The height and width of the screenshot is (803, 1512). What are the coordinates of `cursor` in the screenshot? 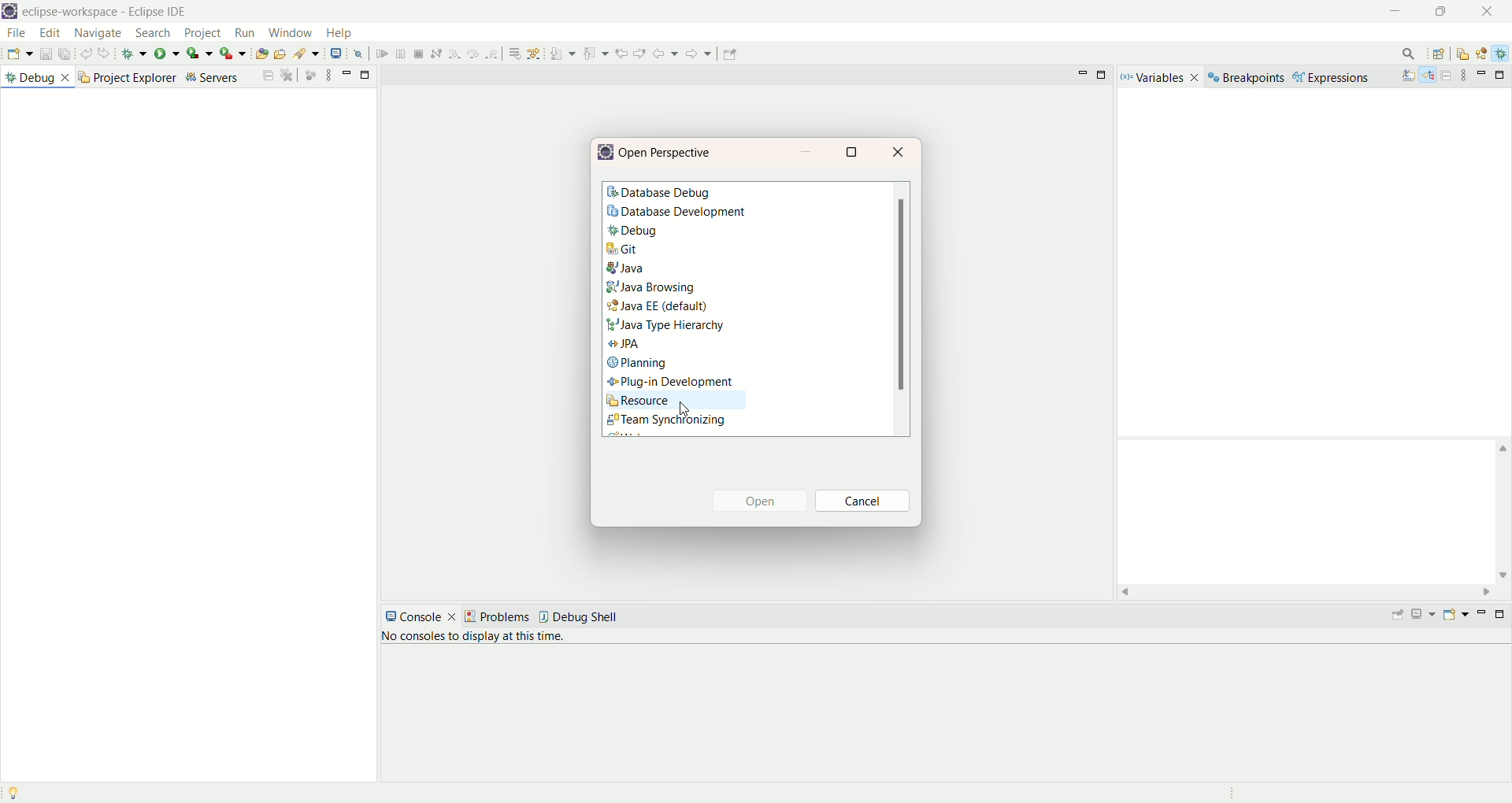 It's located at (684, 411).